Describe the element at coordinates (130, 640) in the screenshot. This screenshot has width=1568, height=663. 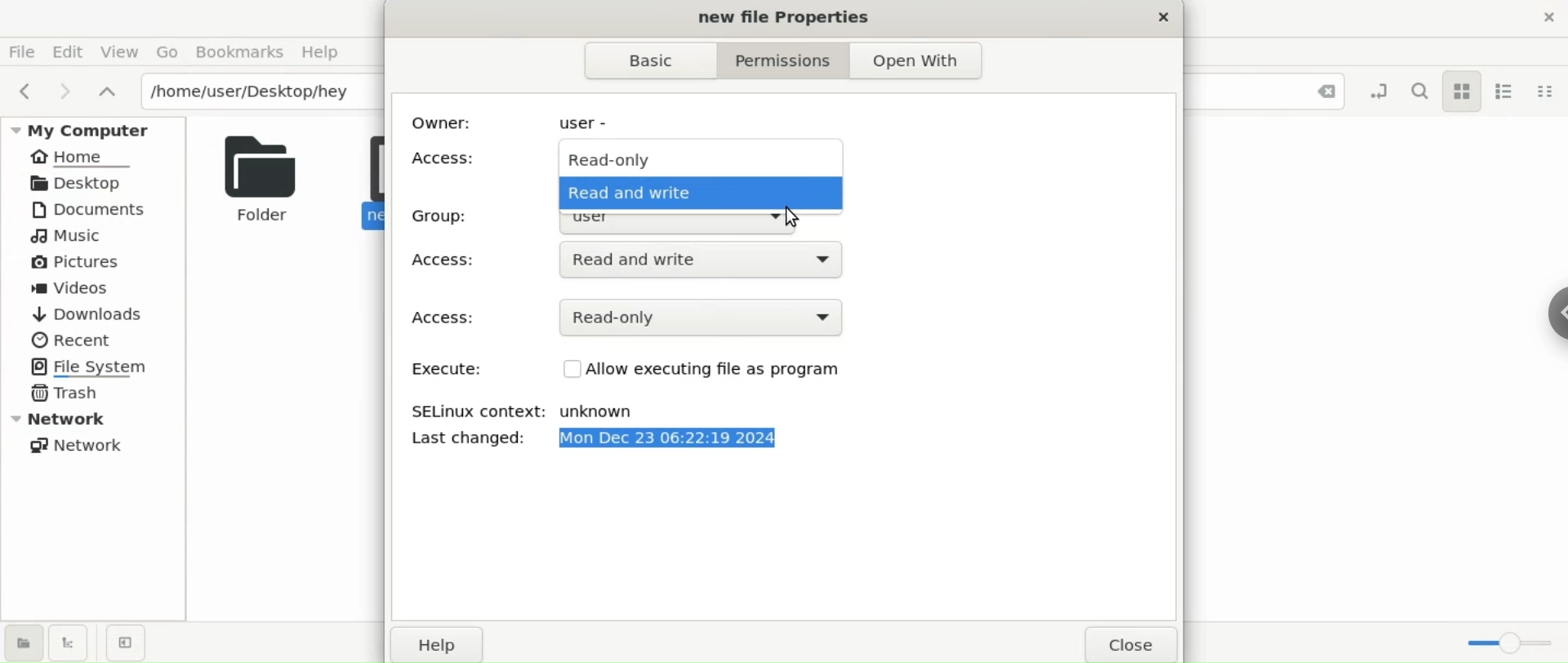
I see `close sidebar` at that location.